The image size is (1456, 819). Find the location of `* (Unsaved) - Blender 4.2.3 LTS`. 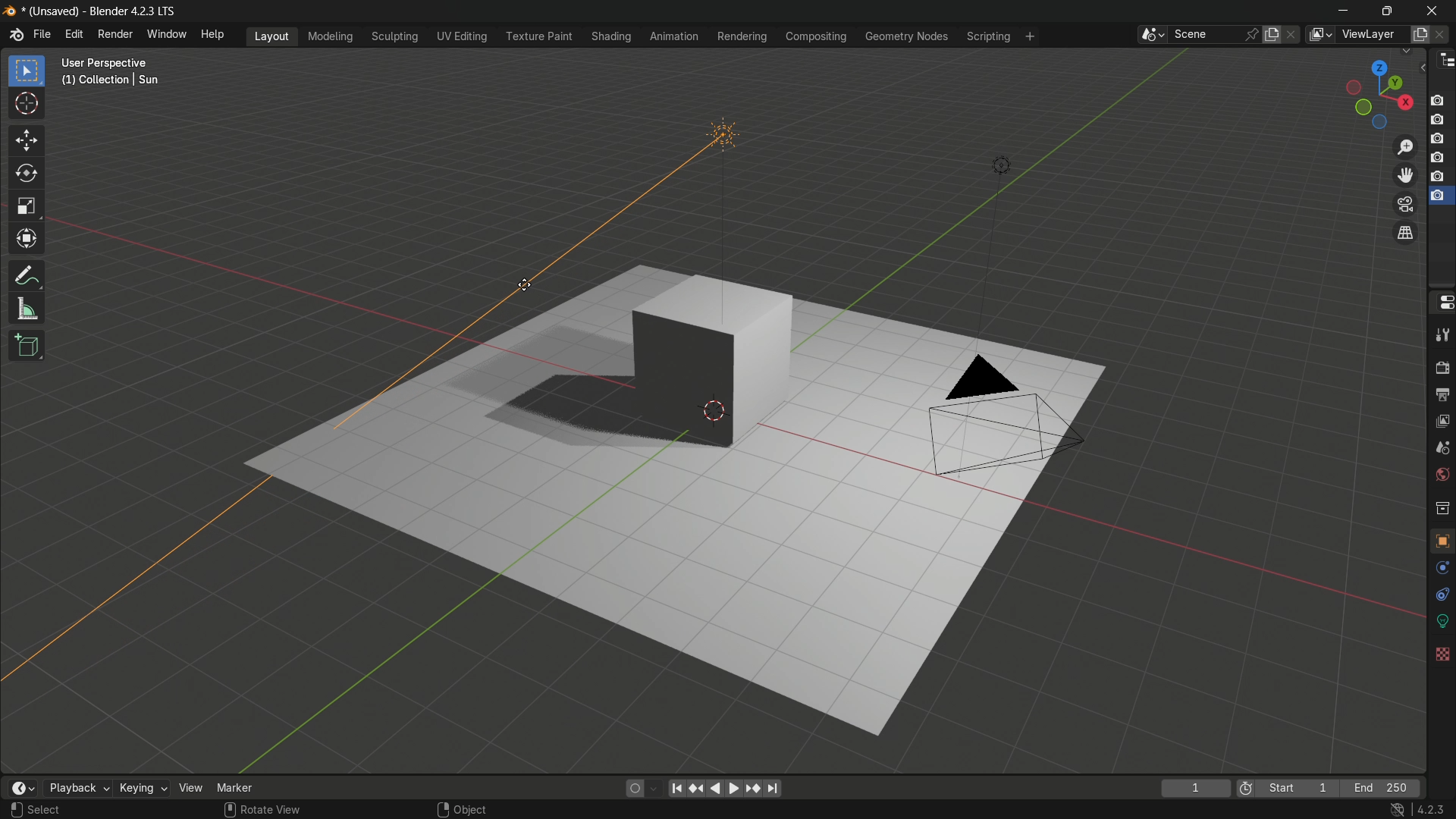

* (Unsaved) - Blender 4.2.3 LTS is located at coordinates (102, 12).